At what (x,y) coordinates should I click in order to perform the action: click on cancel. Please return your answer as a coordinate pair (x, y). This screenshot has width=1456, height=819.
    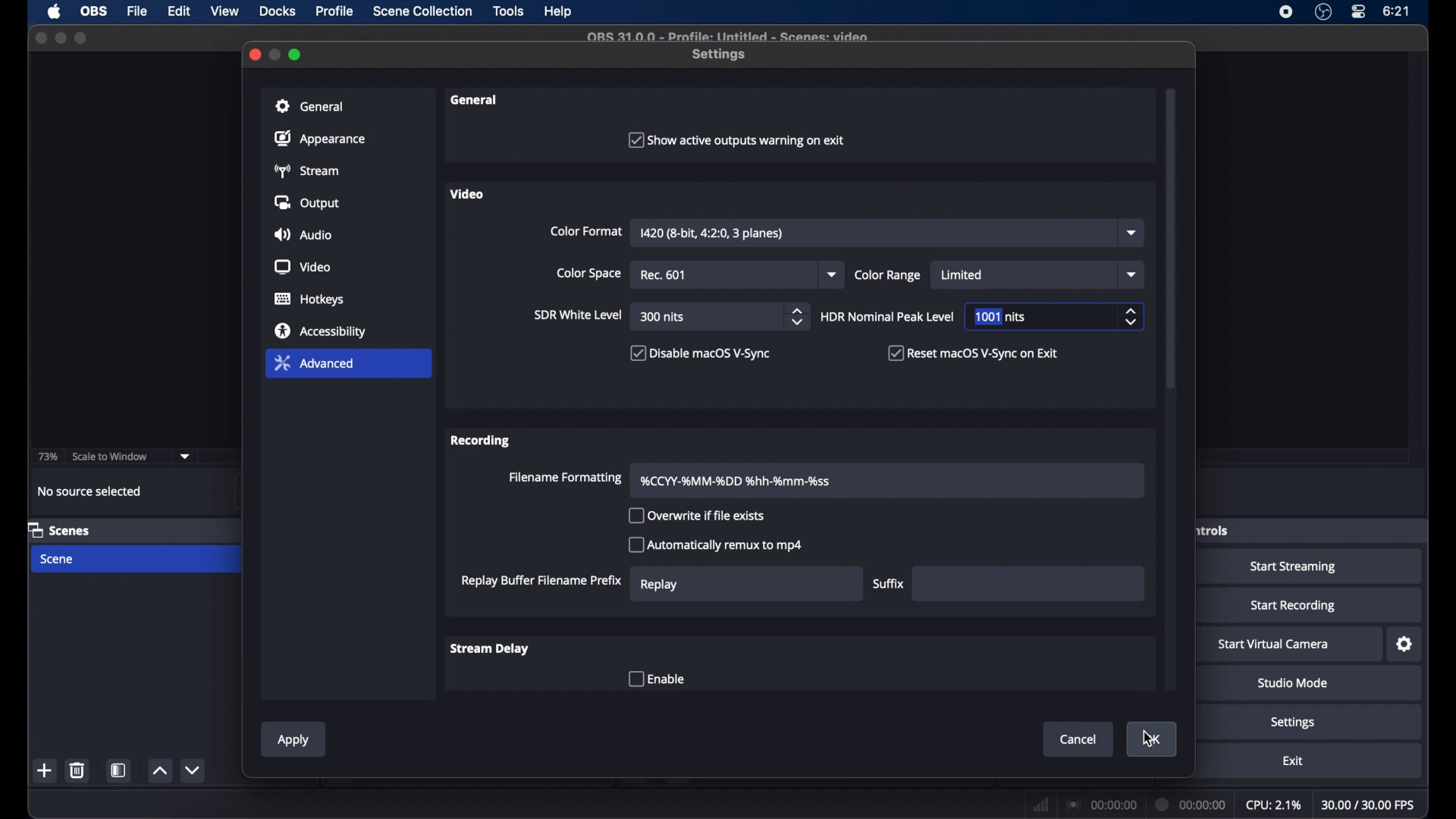
    Looking at the image, I should click on (1079, 740).